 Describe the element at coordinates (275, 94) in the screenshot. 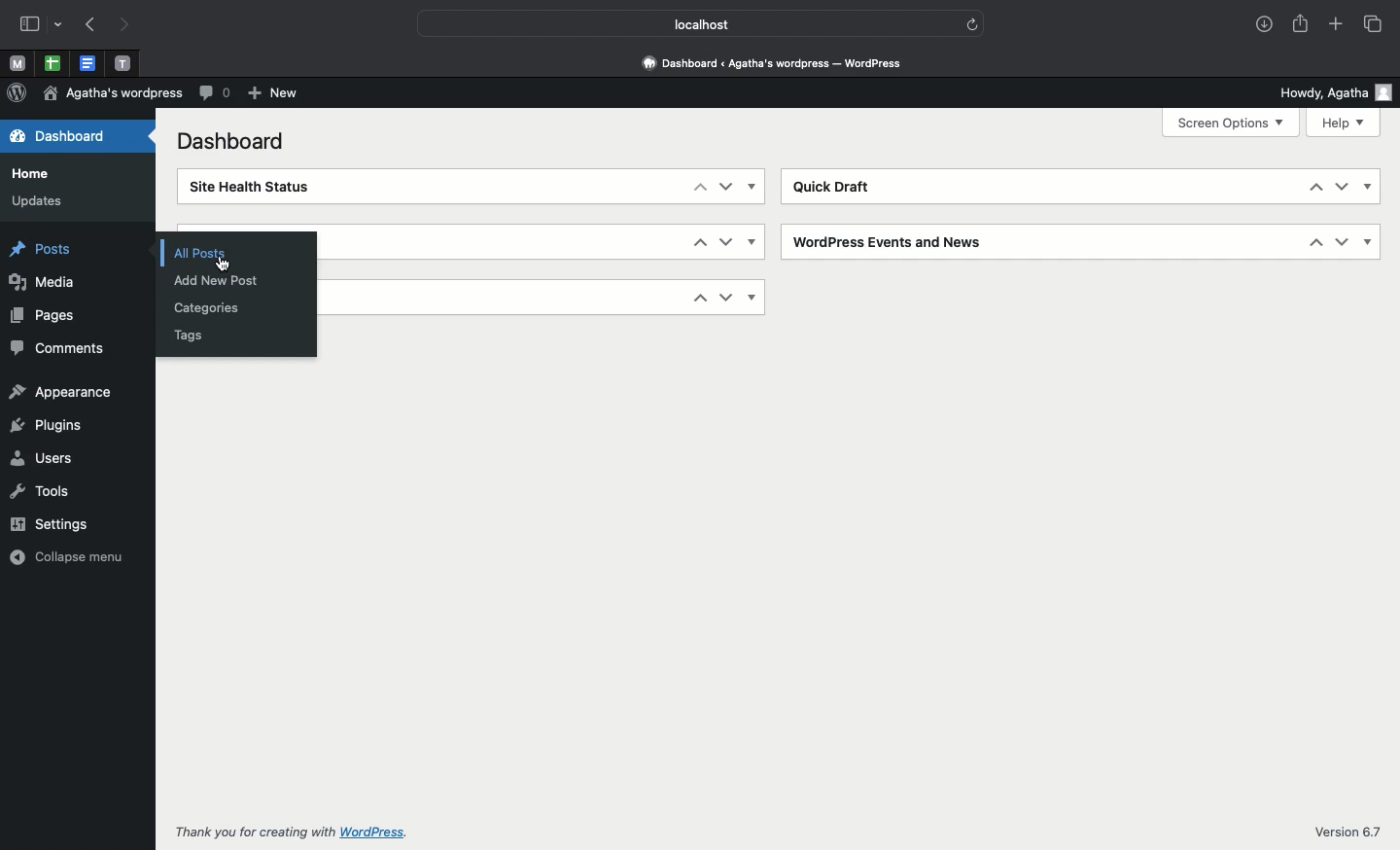

I see `New` at that location.